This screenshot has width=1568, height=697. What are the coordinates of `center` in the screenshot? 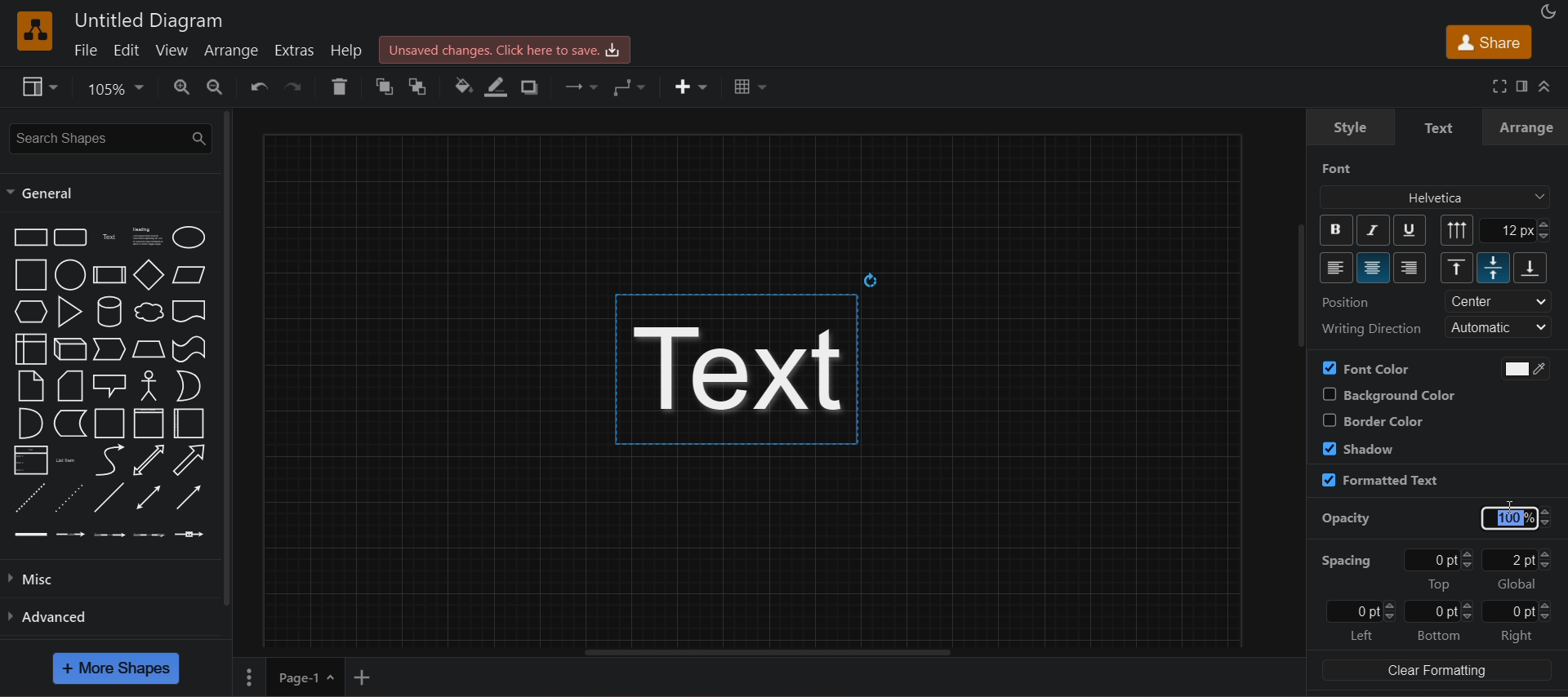 It's located at (1499, 301).